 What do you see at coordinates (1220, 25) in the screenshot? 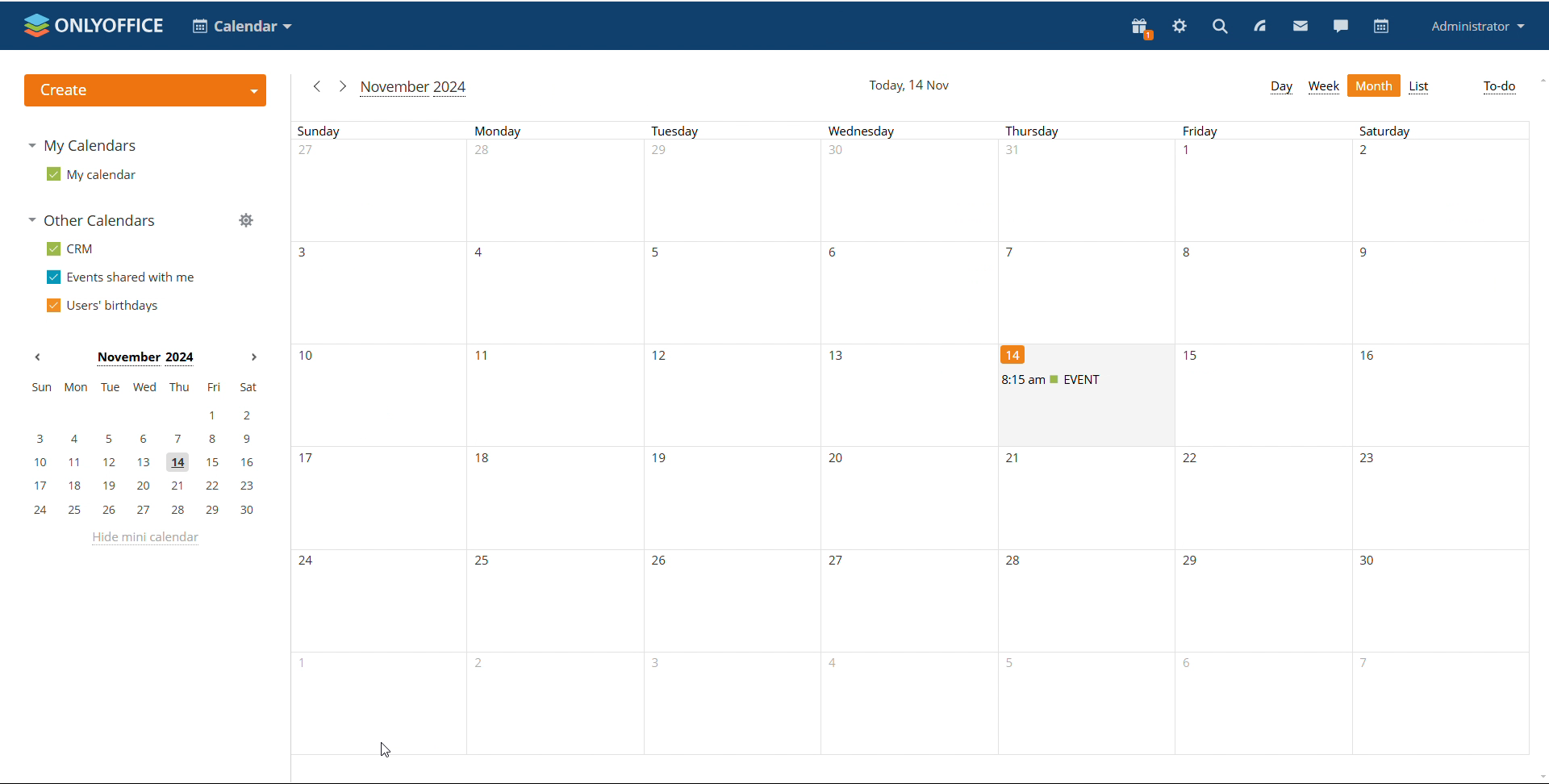
I see `search` at bounding box center [1220, 25].